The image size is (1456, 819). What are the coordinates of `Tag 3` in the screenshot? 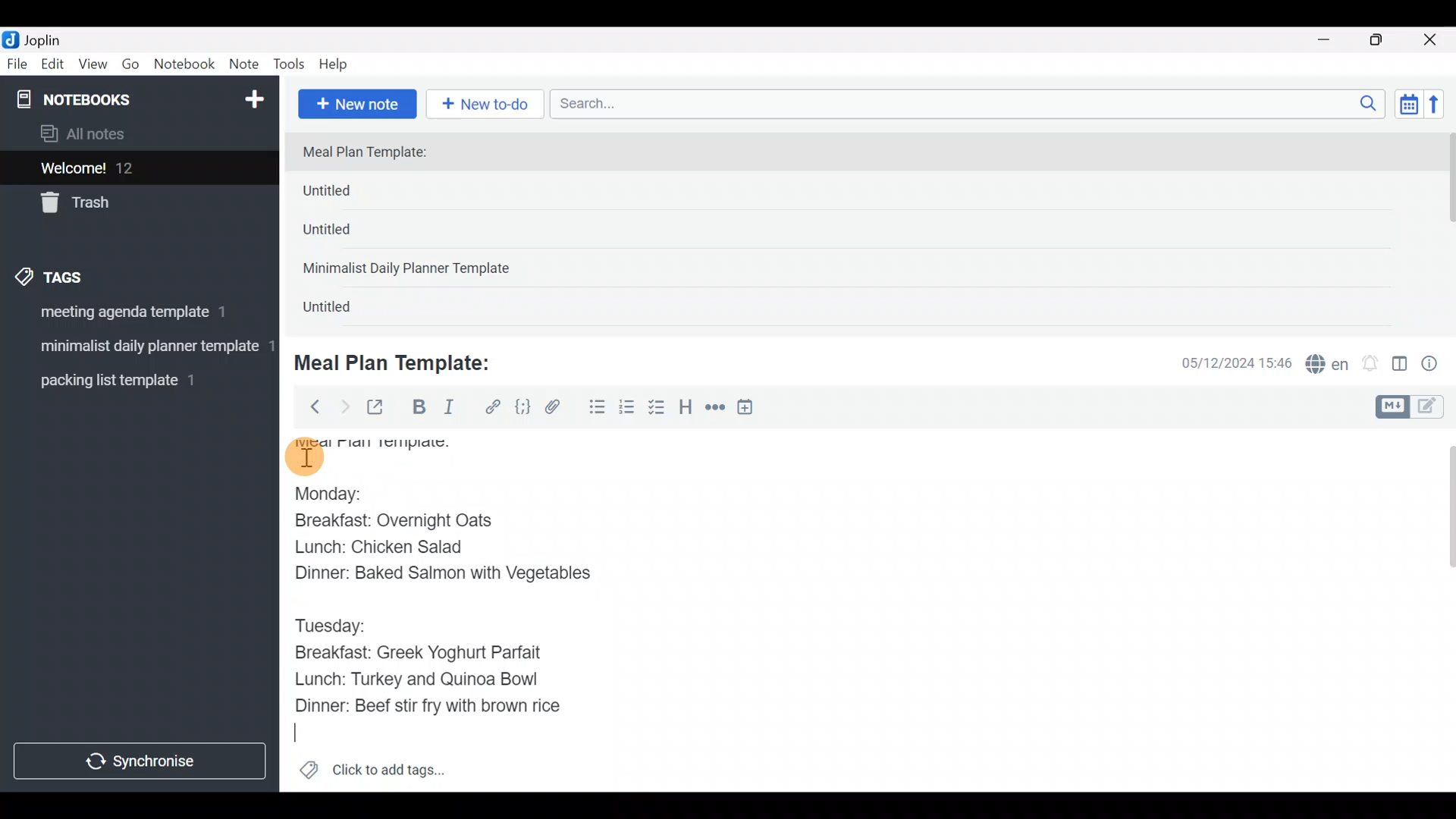 It's located at (134, 380).